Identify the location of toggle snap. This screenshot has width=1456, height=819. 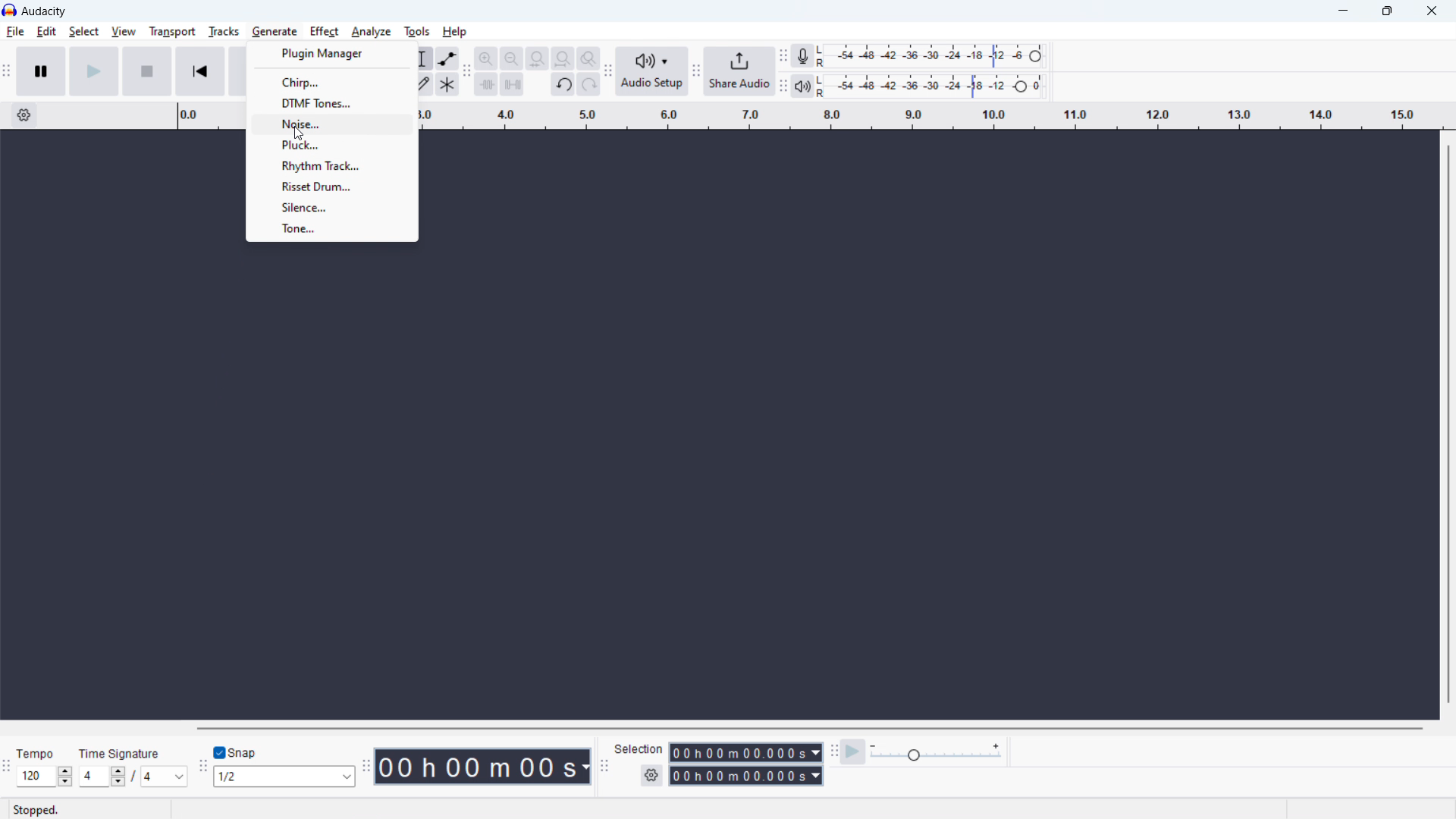
(237, 752).